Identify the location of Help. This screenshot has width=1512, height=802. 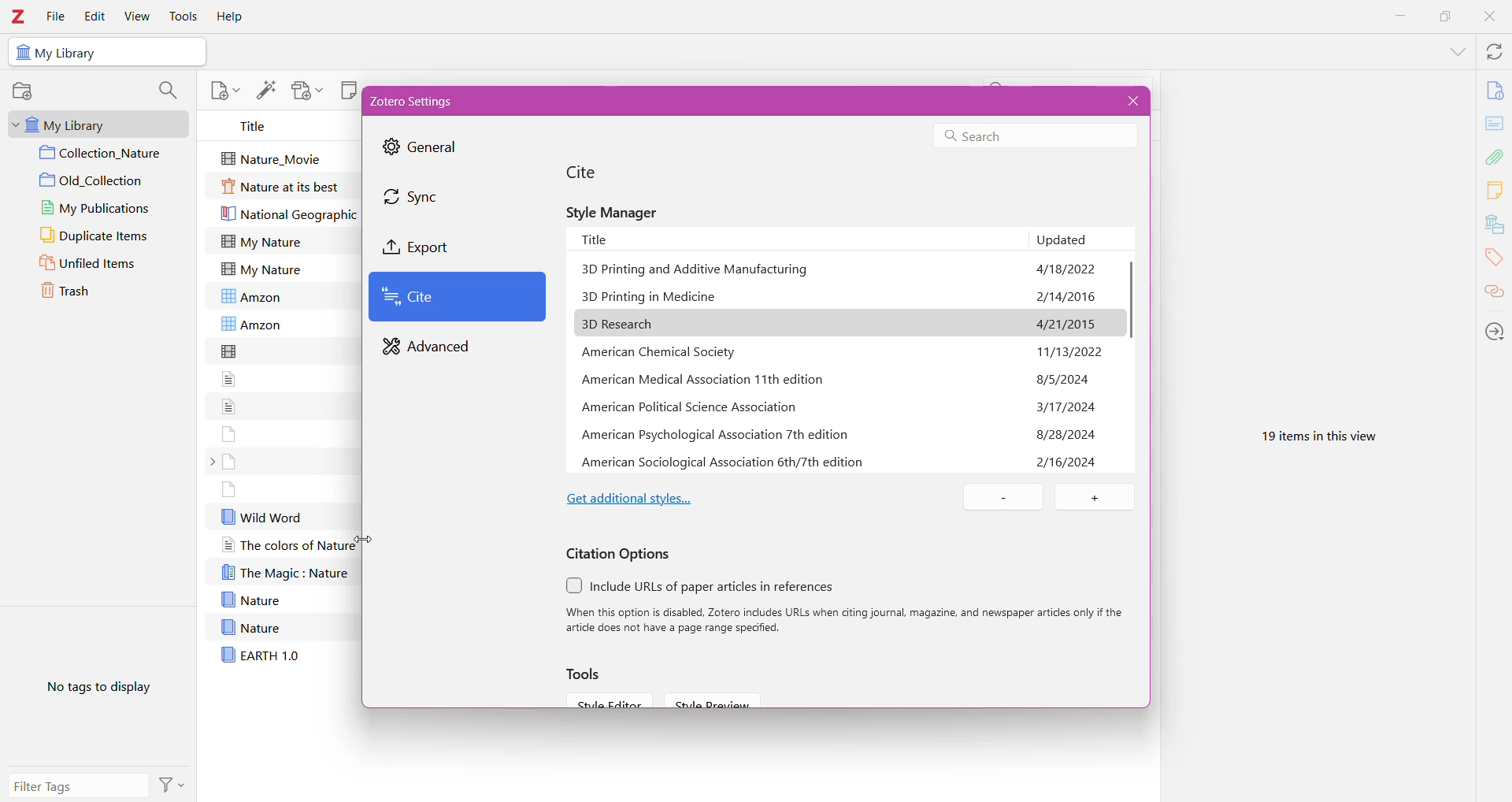
(232, 16).